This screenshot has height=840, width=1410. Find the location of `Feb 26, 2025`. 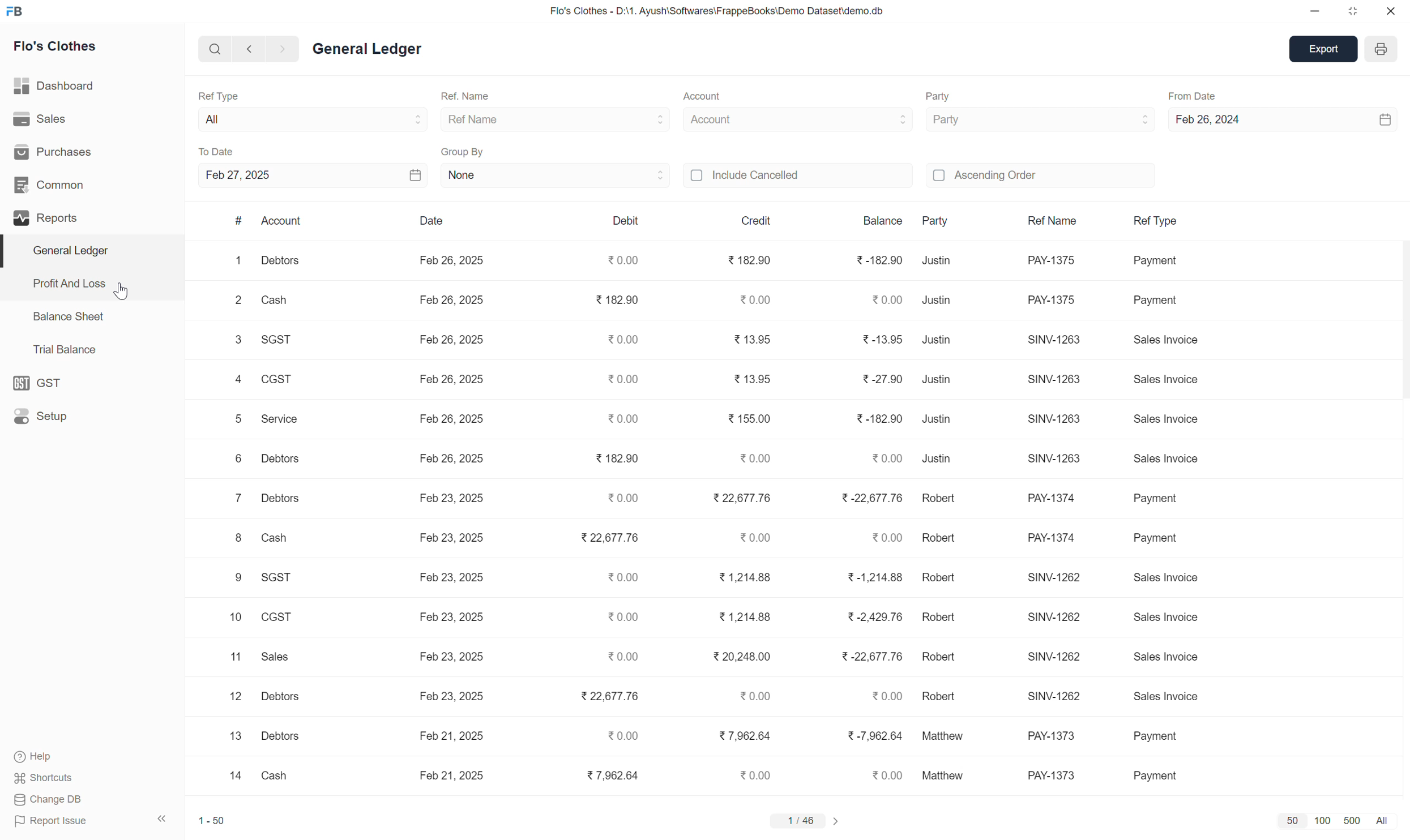

Feb 26, 2025 is located at coordinates (451, 420).